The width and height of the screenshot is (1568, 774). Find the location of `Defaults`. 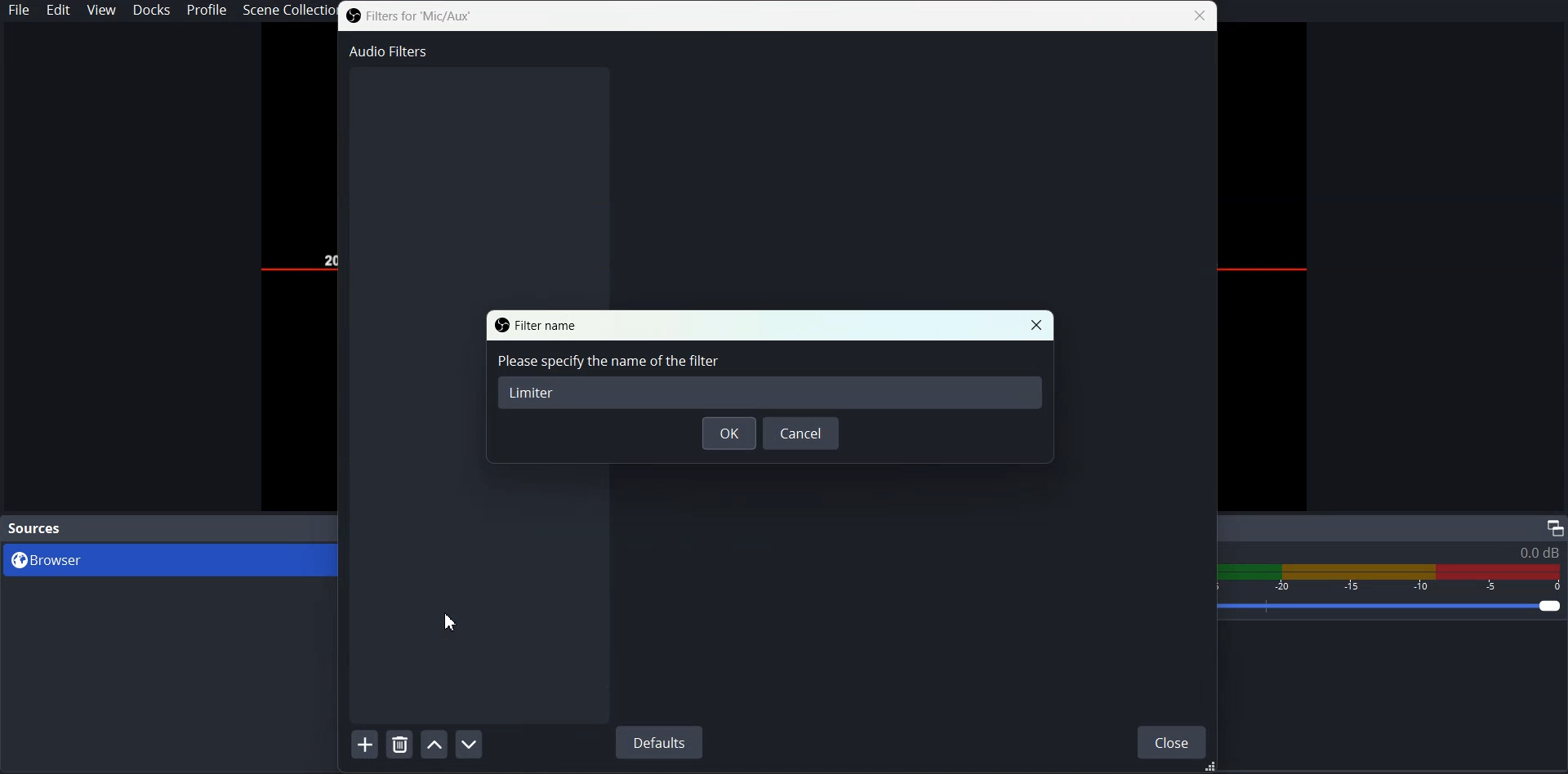

Defaults is located at coordinates (658, 742).